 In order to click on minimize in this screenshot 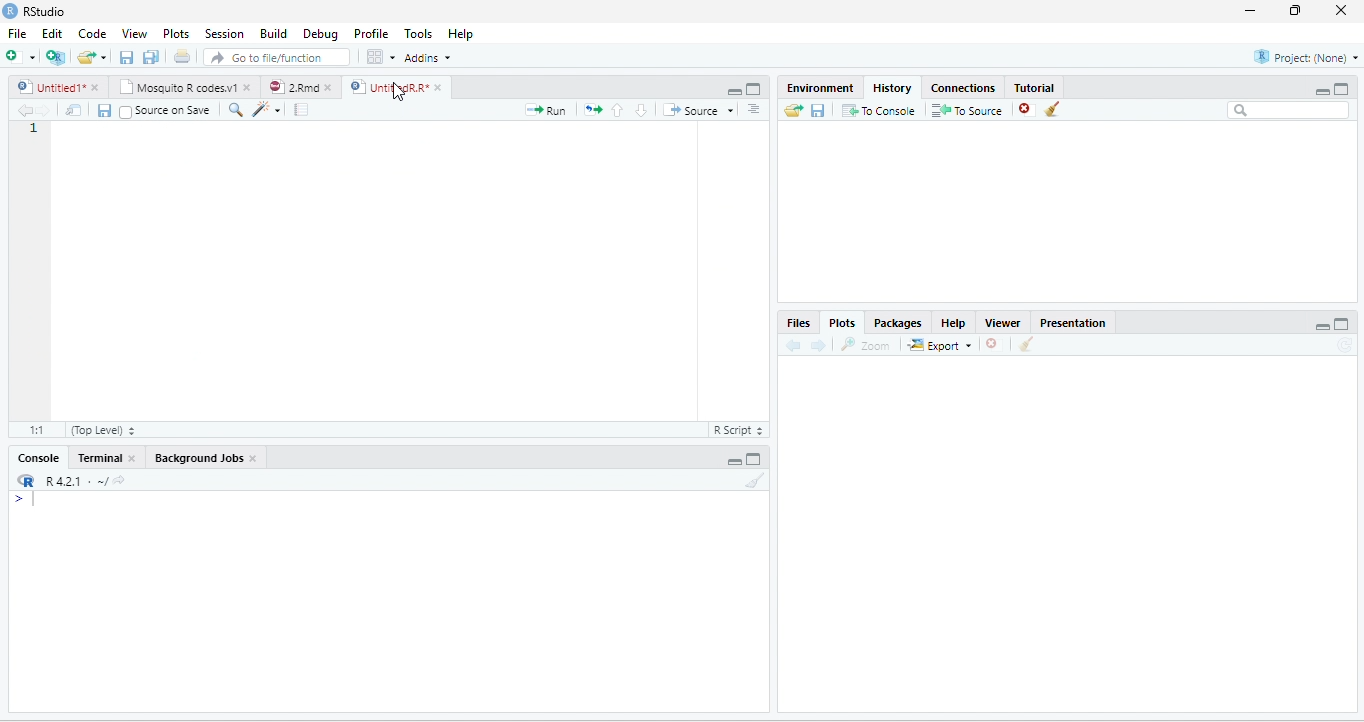, I will do `click(1251, 11)`.